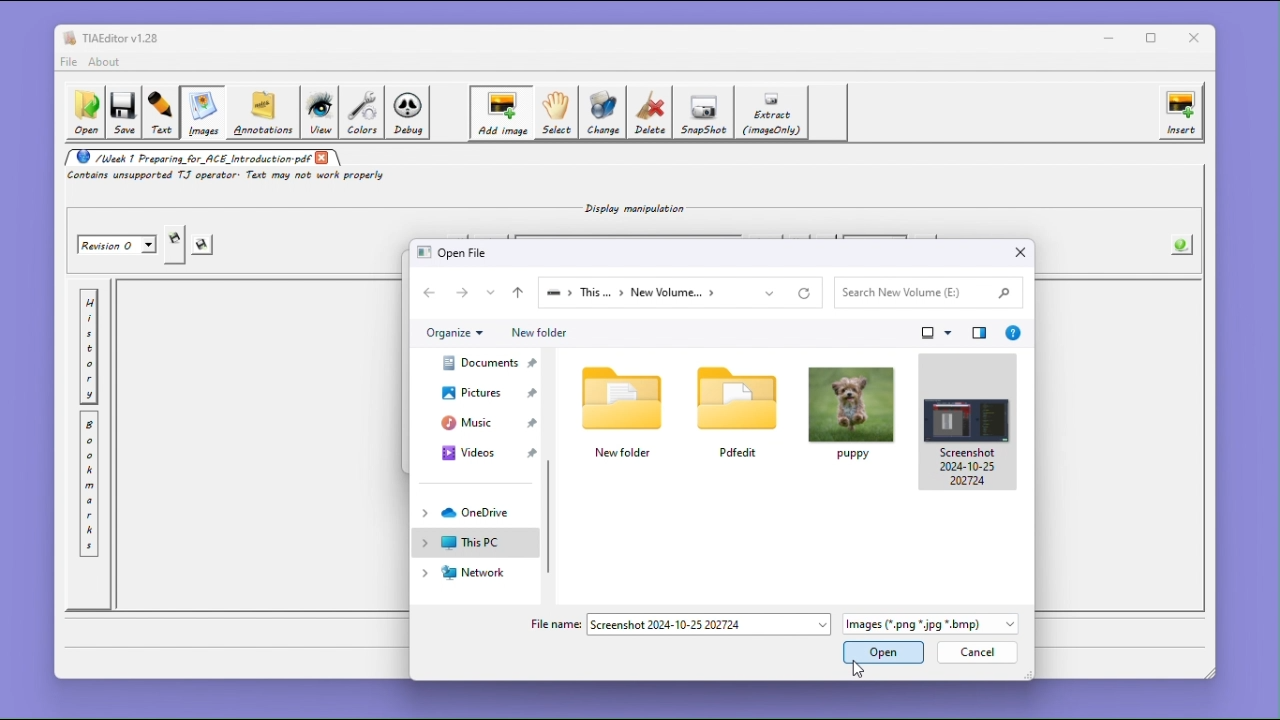 Image resolution: width=1280 pixels, height=720 pixels. I want to click on close, so click(1021, 253).